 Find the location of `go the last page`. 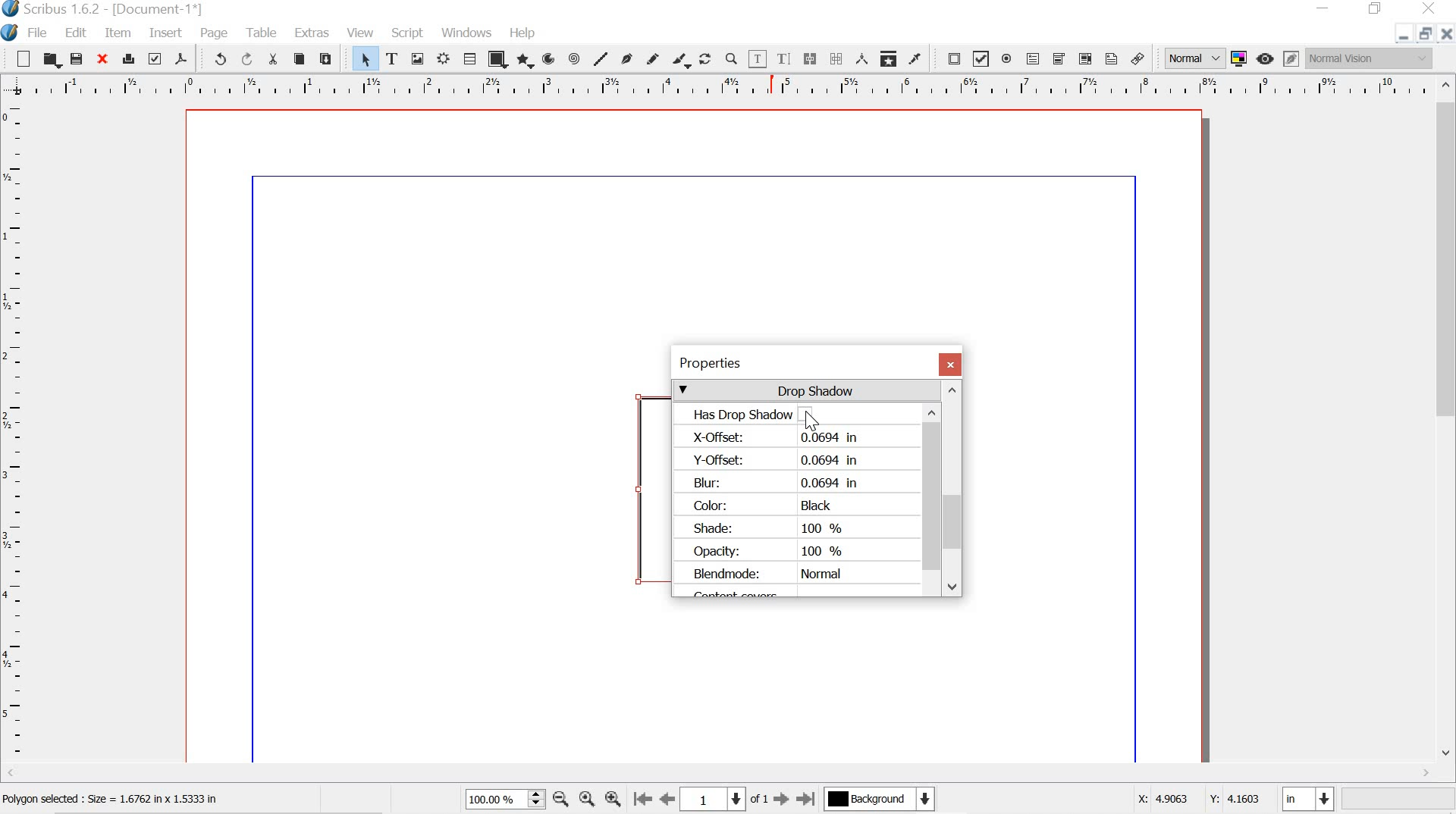

go the last page is located at coordinates (807, 797).